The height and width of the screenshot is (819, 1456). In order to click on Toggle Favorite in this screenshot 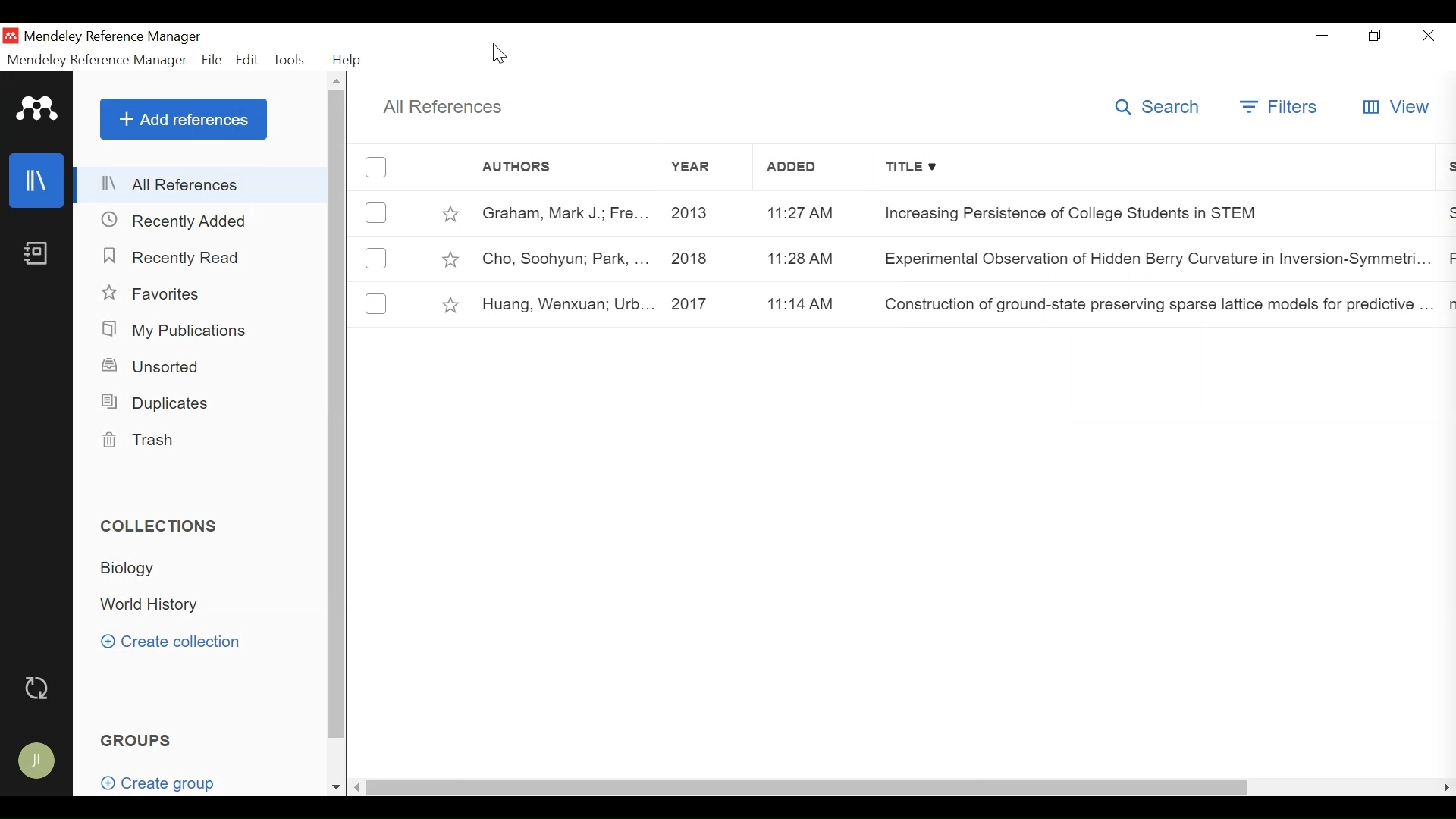, I will do `click(449, 214)`.